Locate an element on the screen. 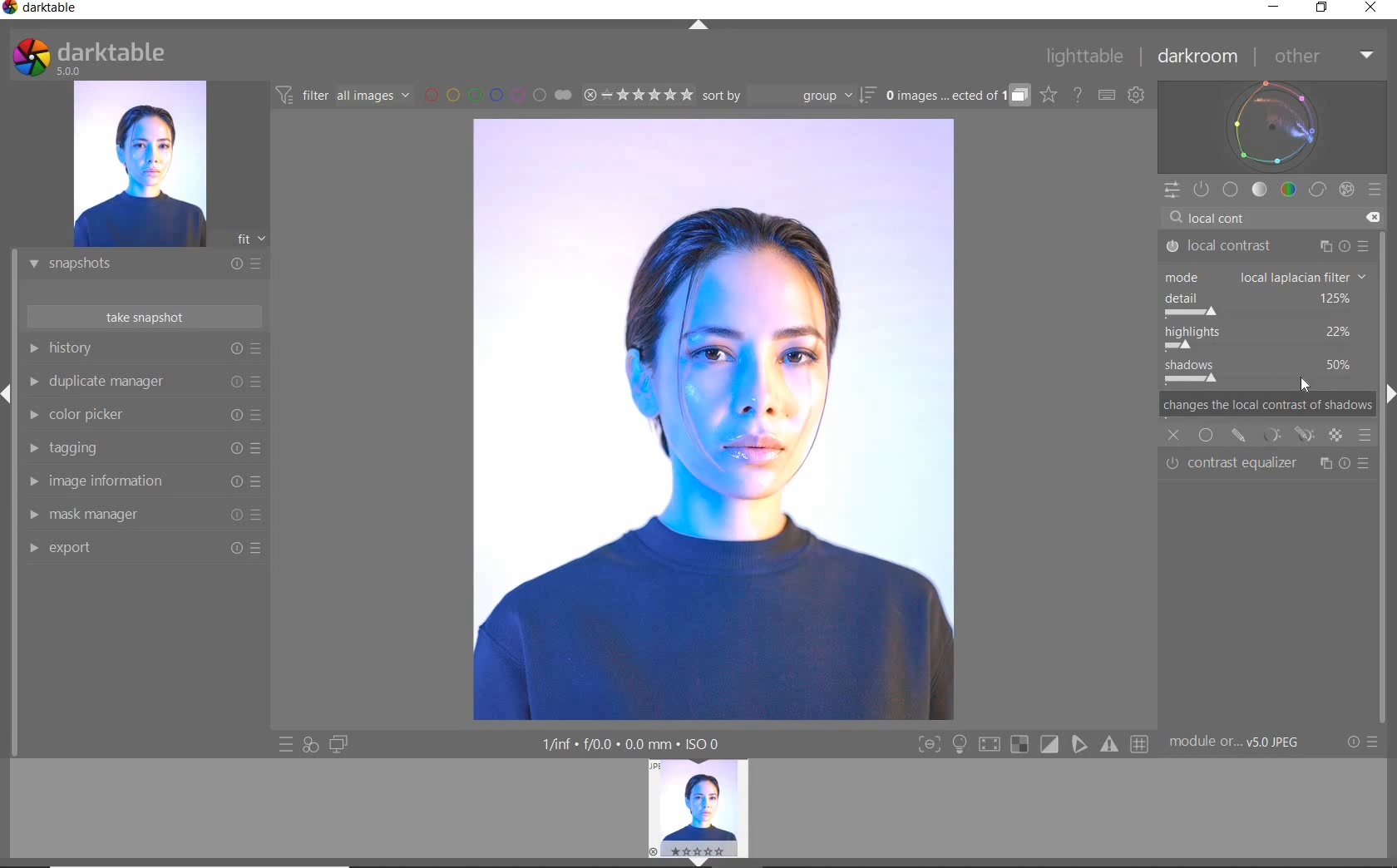 The width and height of the screenshot is (1397, 868). QUICK ACCESS FOR APPLYING ANY OF YOUR STYLES is located at coordinates (309, 744).